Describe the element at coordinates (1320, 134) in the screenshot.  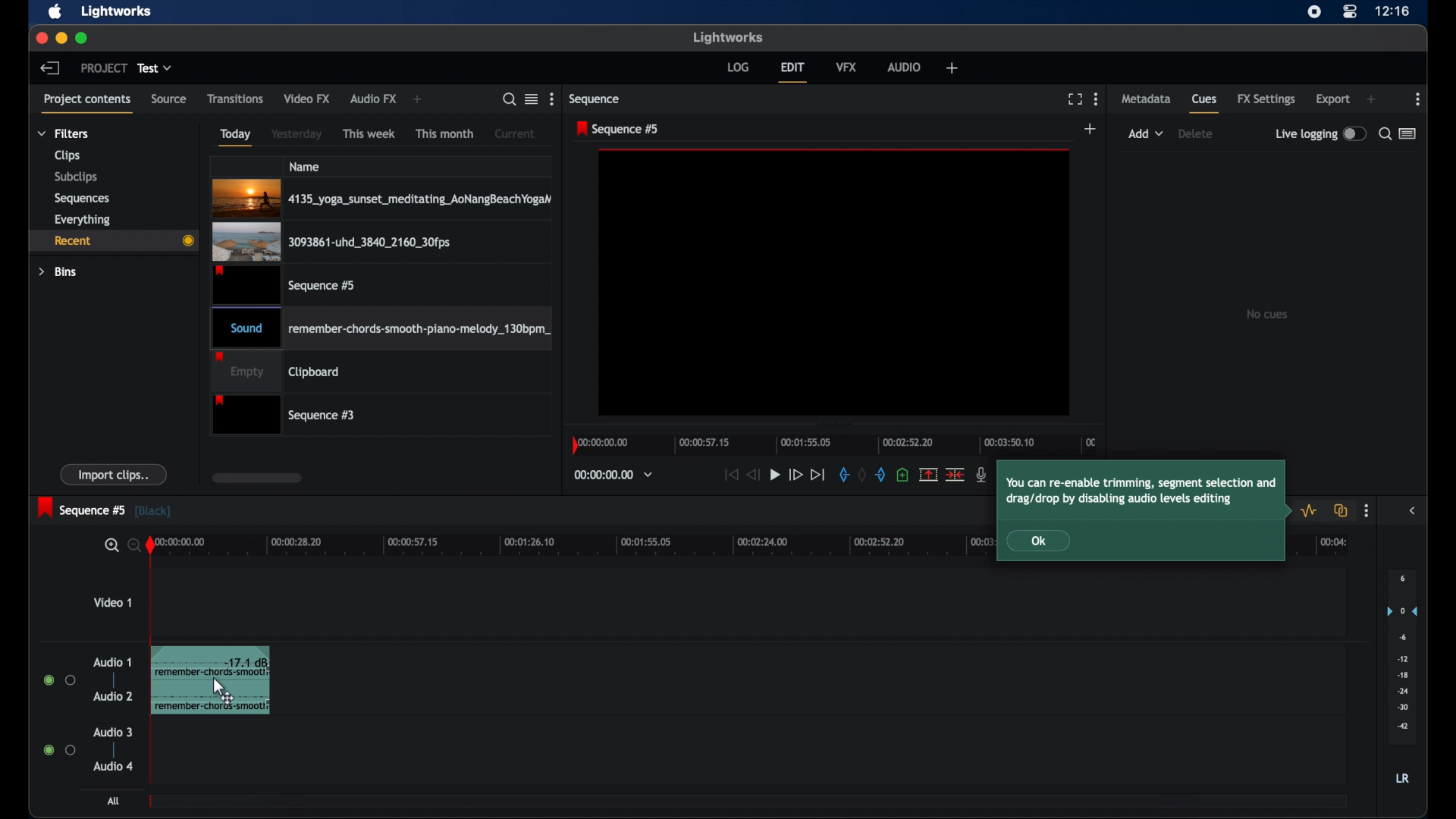
I see `live logging` at that location.